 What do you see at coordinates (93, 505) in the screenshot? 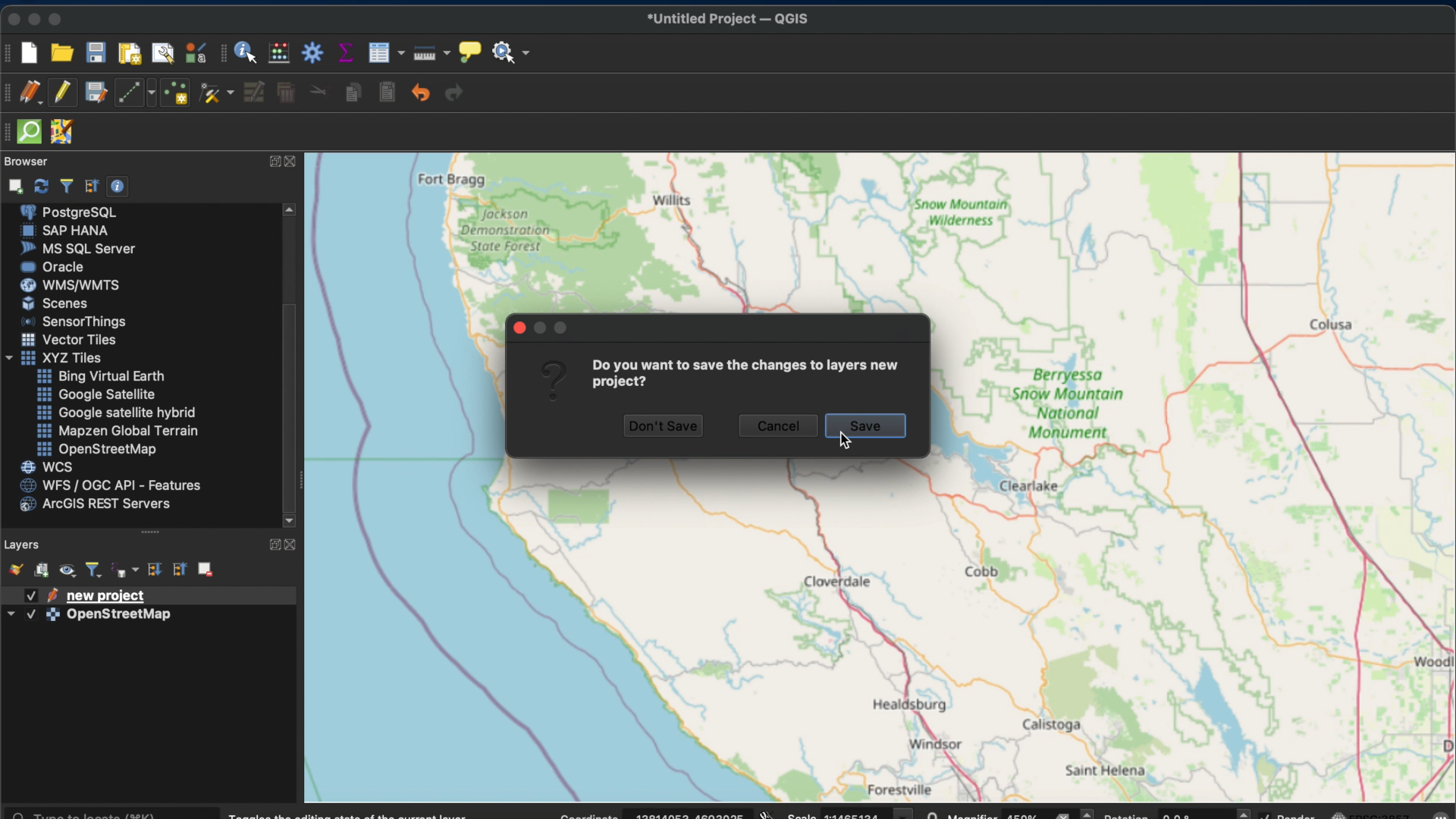
I see `arches rest servers` at bounding box center [93, 505].